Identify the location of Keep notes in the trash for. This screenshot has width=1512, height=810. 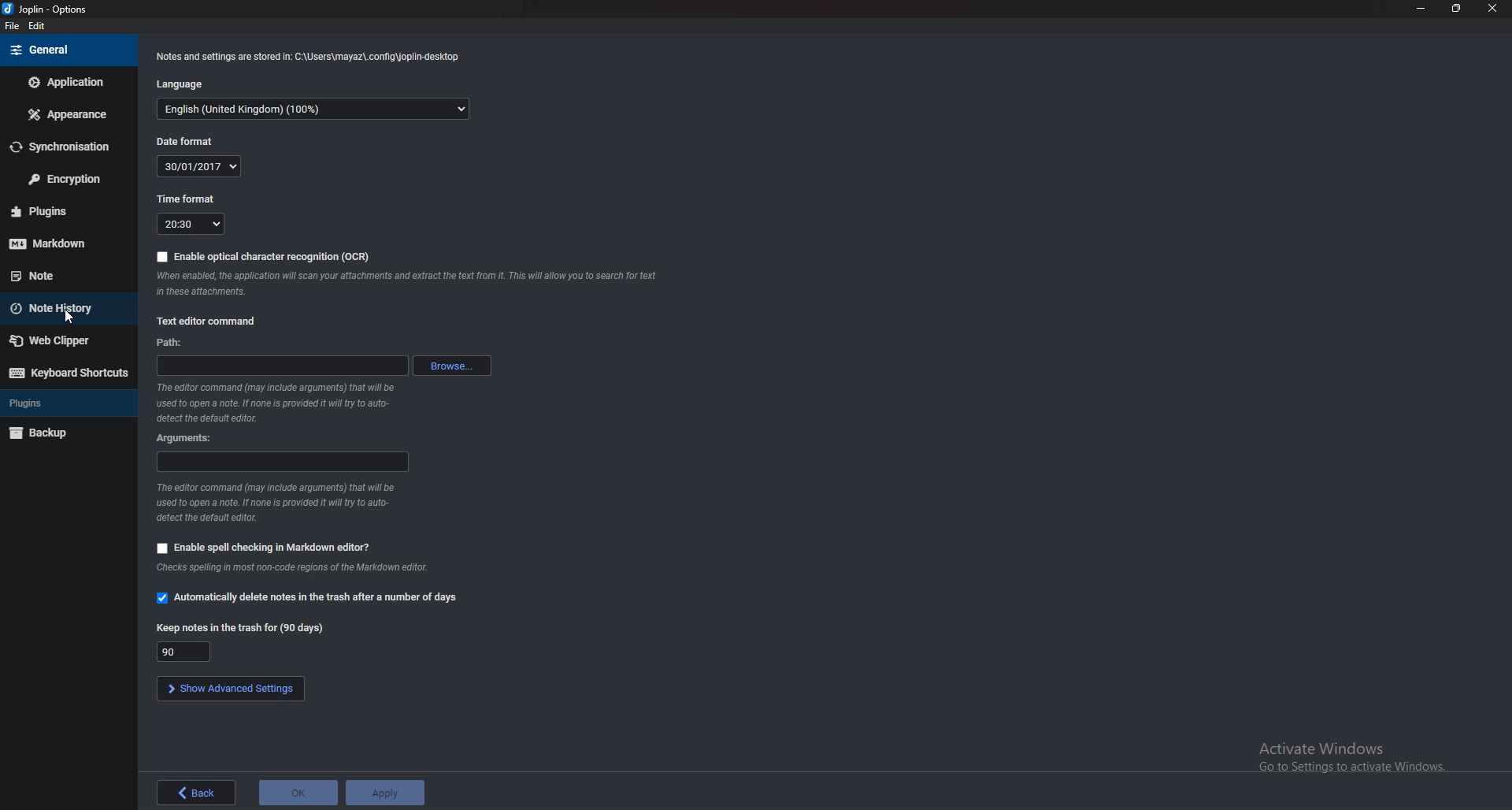
(243, 627).